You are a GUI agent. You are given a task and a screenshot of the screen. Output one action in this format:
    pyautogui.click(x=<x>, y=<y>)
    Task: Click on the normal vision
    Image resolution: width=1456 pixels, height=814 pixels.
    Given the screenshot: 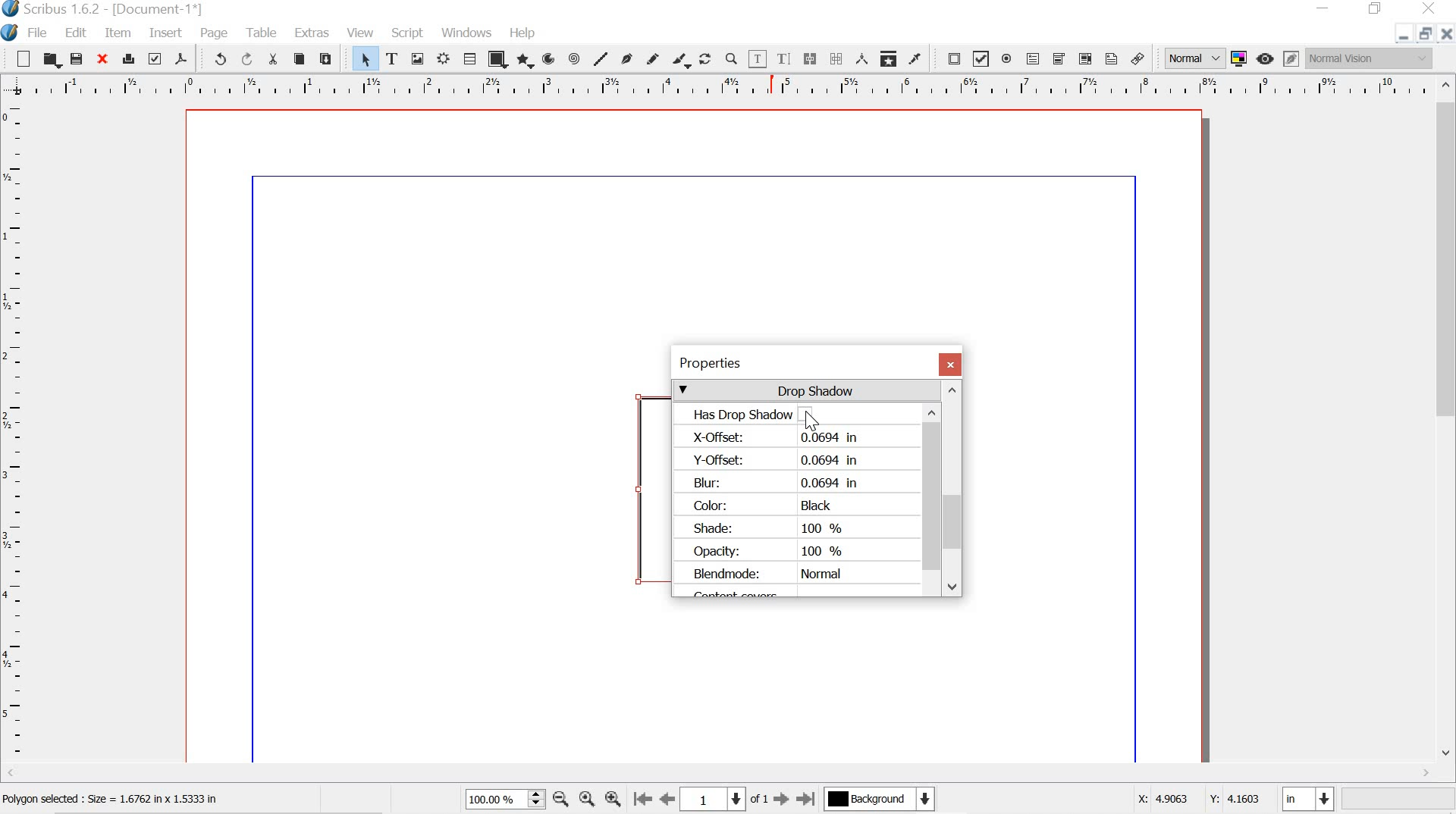 What is the action you would take?
    pyautogui.click(x=1370, y=58)
    